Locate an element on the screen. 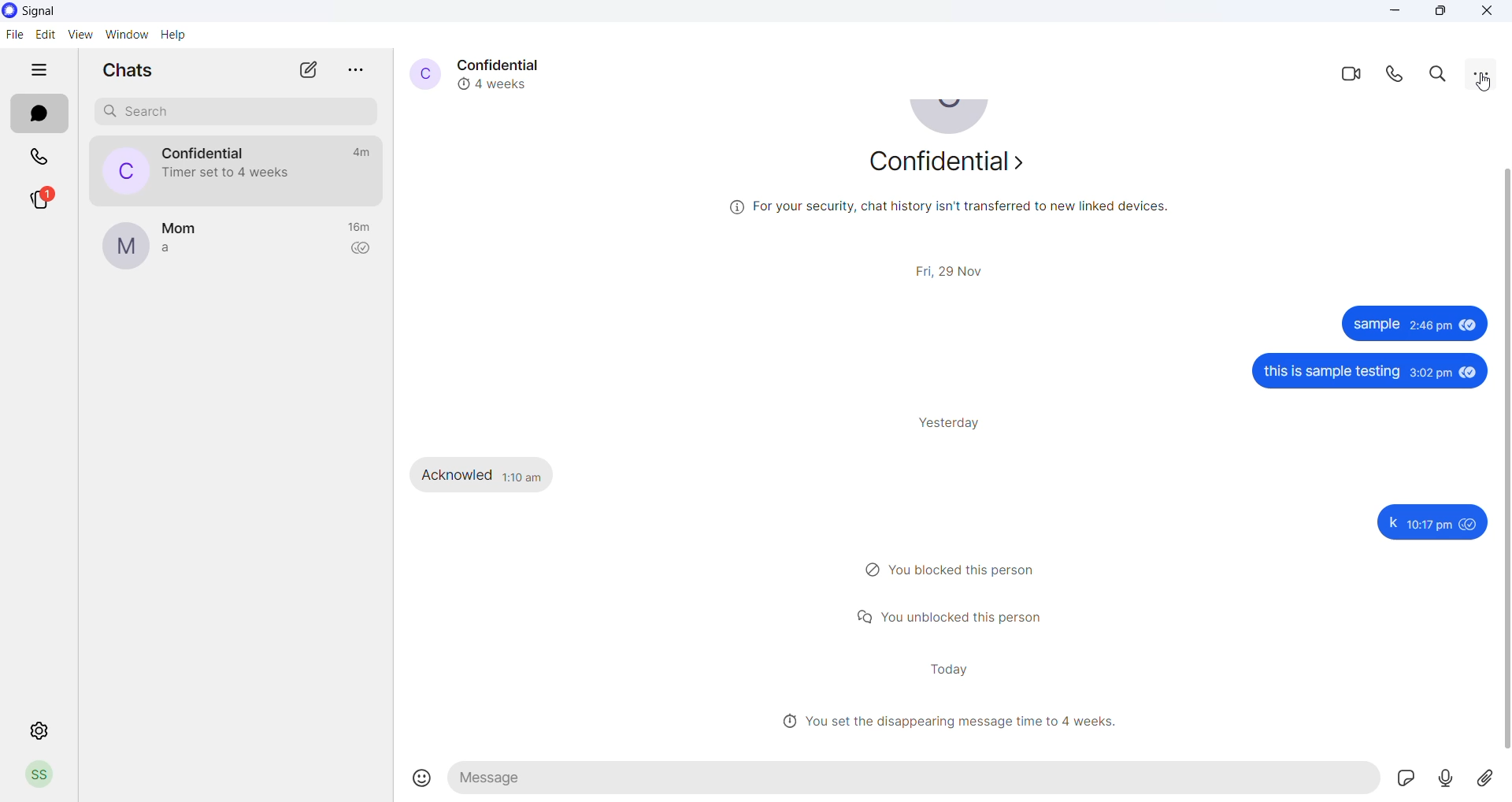 The image size is (1512, 802). received messages is located at coordinates (495, 473).